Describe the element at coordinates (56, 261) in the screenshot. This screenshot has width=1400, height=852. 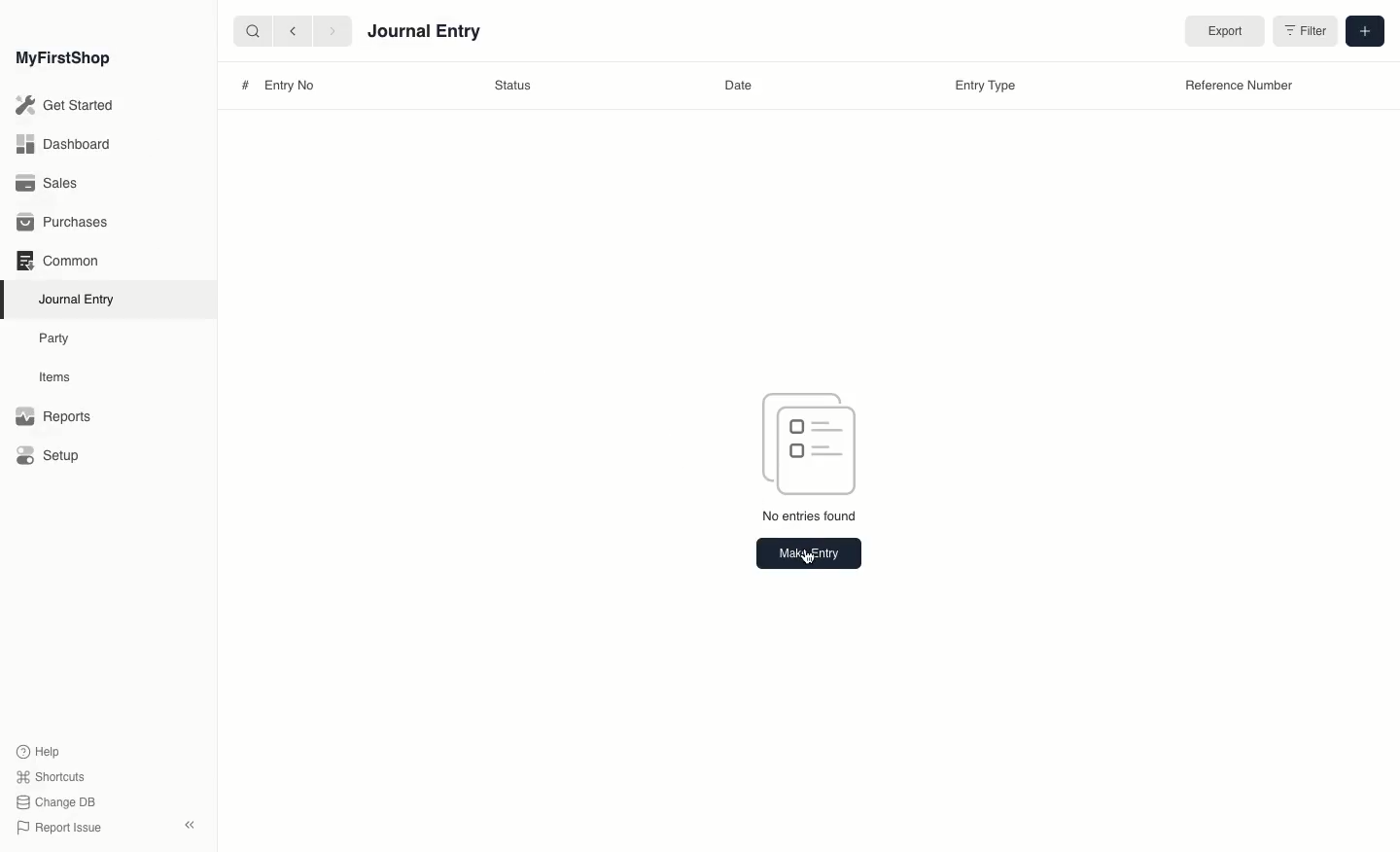
I see `Common` at that location.